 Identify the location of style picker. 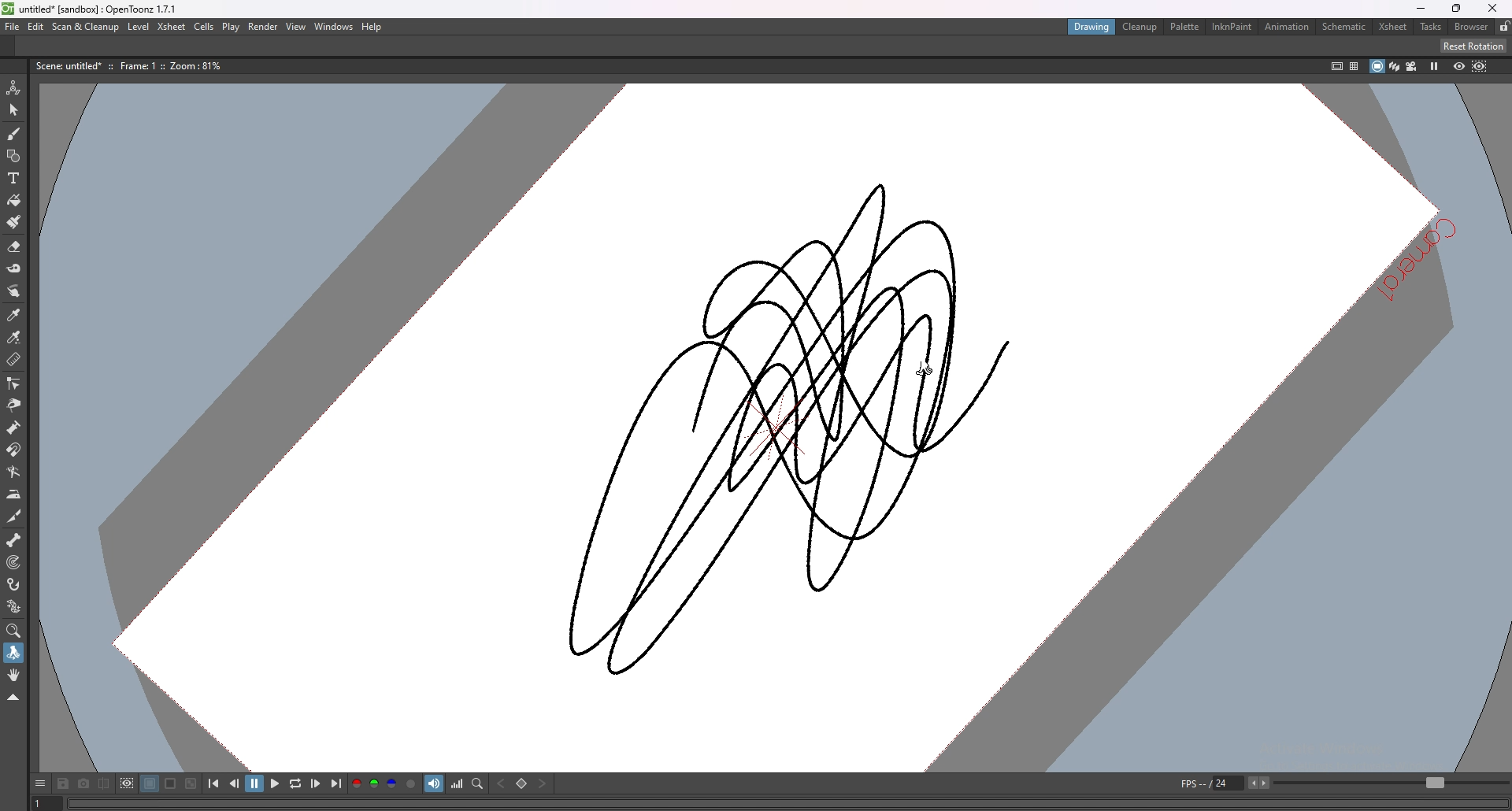
(15, 315).